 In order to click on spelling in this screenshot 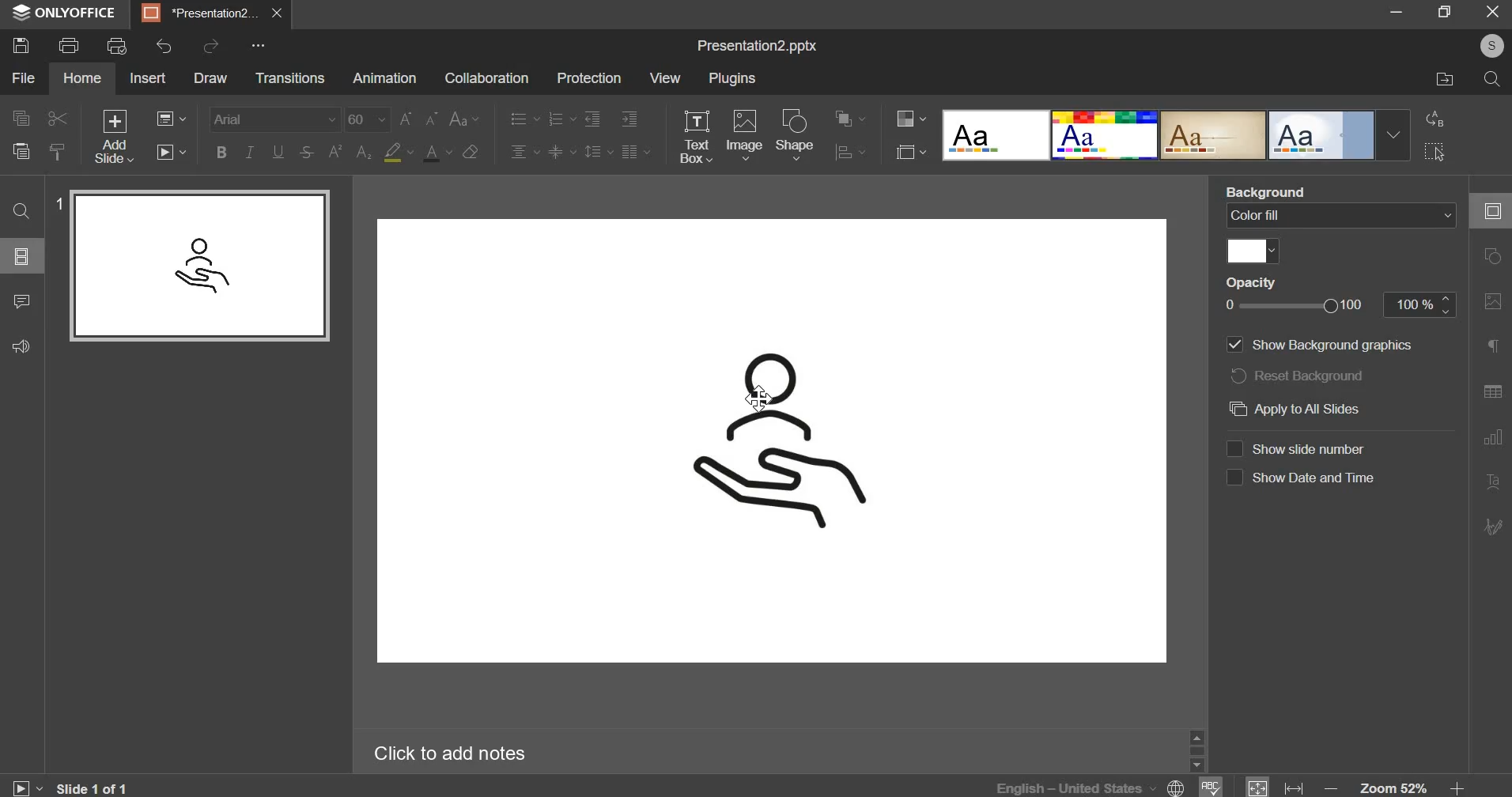, I will do `click(1211, 787)`.